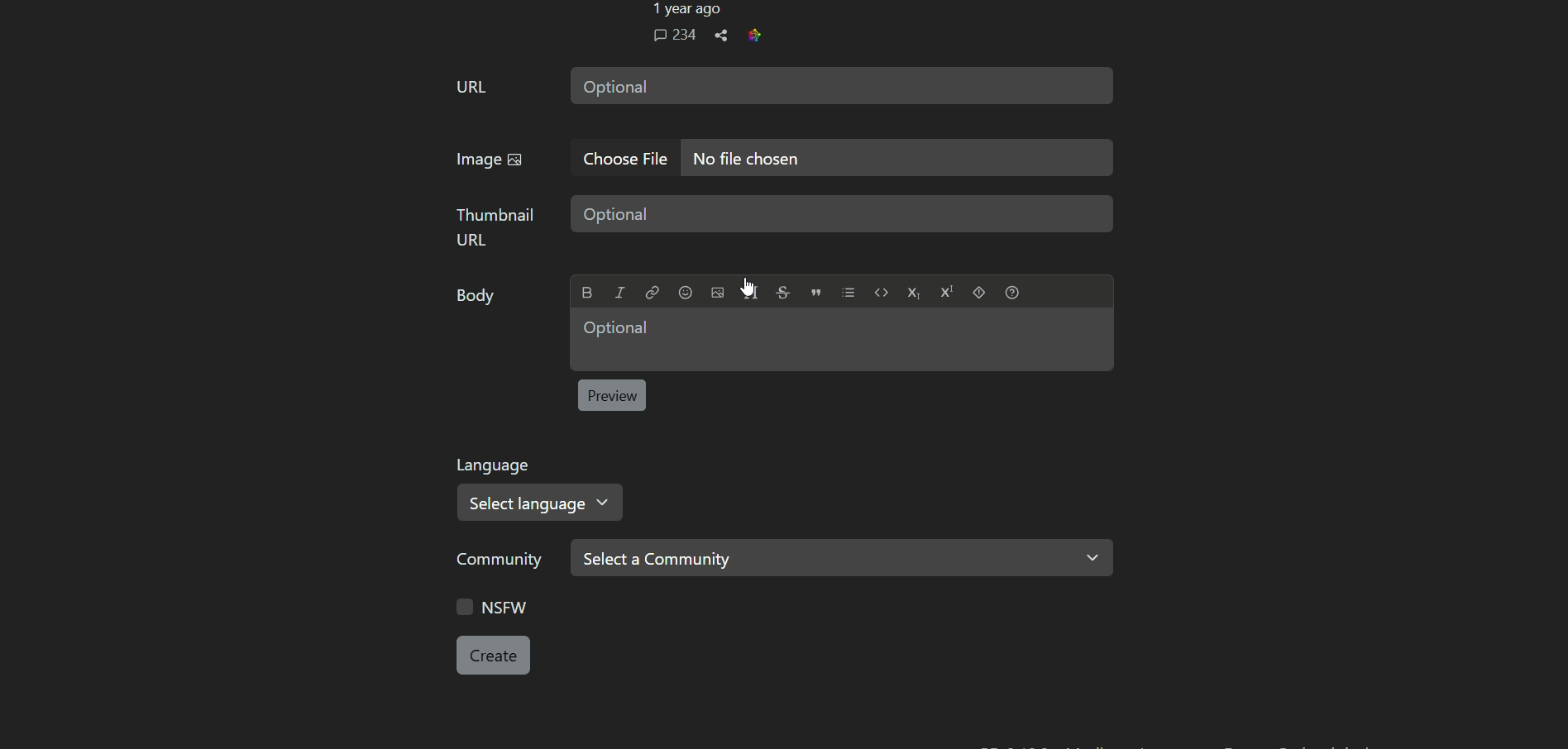  What do you see at coordinates (611, 395) in the screenshot?
I see `preview` at bounding box center [611, 395].